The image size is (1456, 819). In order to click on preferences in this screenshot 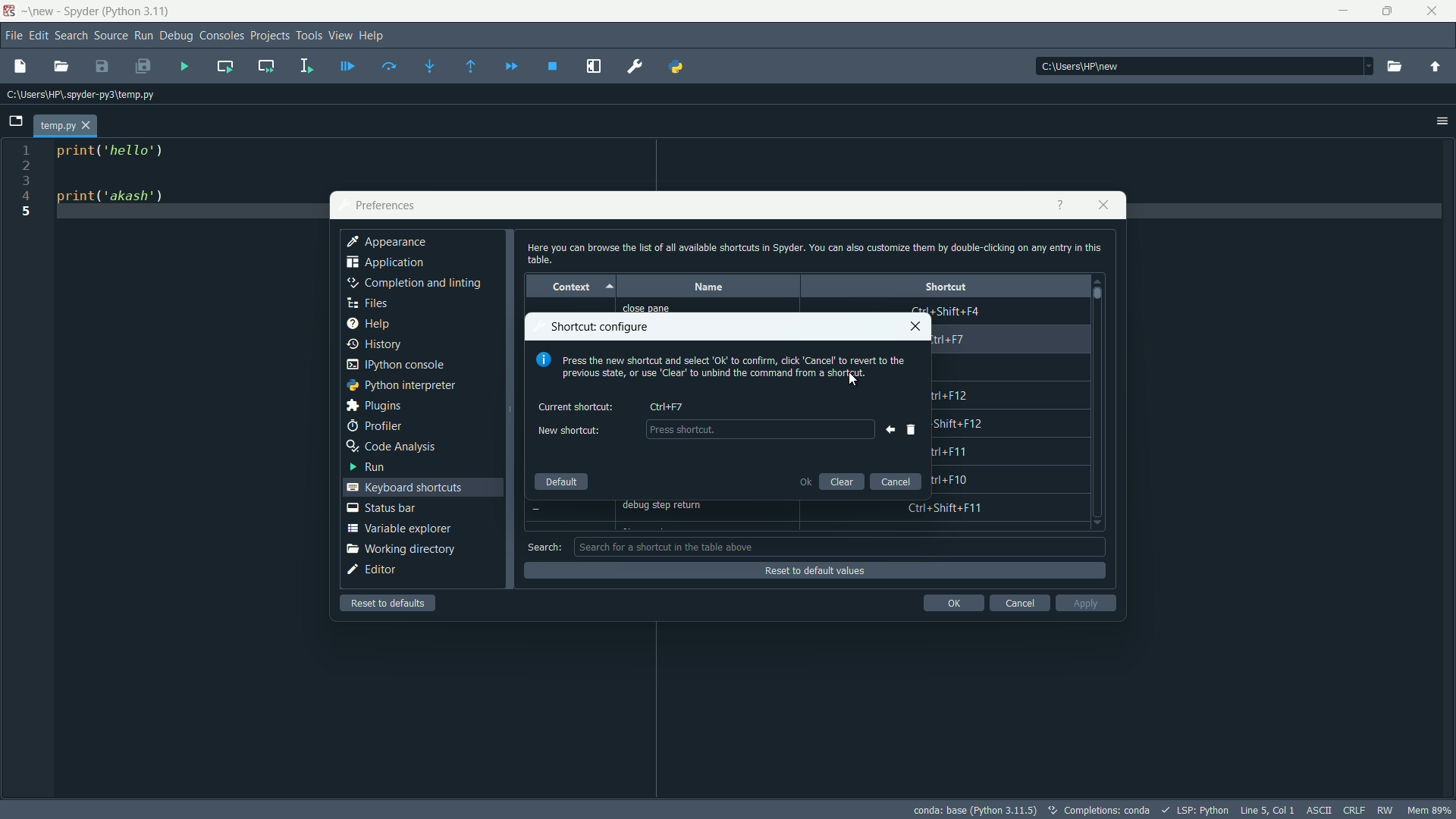, I will do `click(636, 67)`.